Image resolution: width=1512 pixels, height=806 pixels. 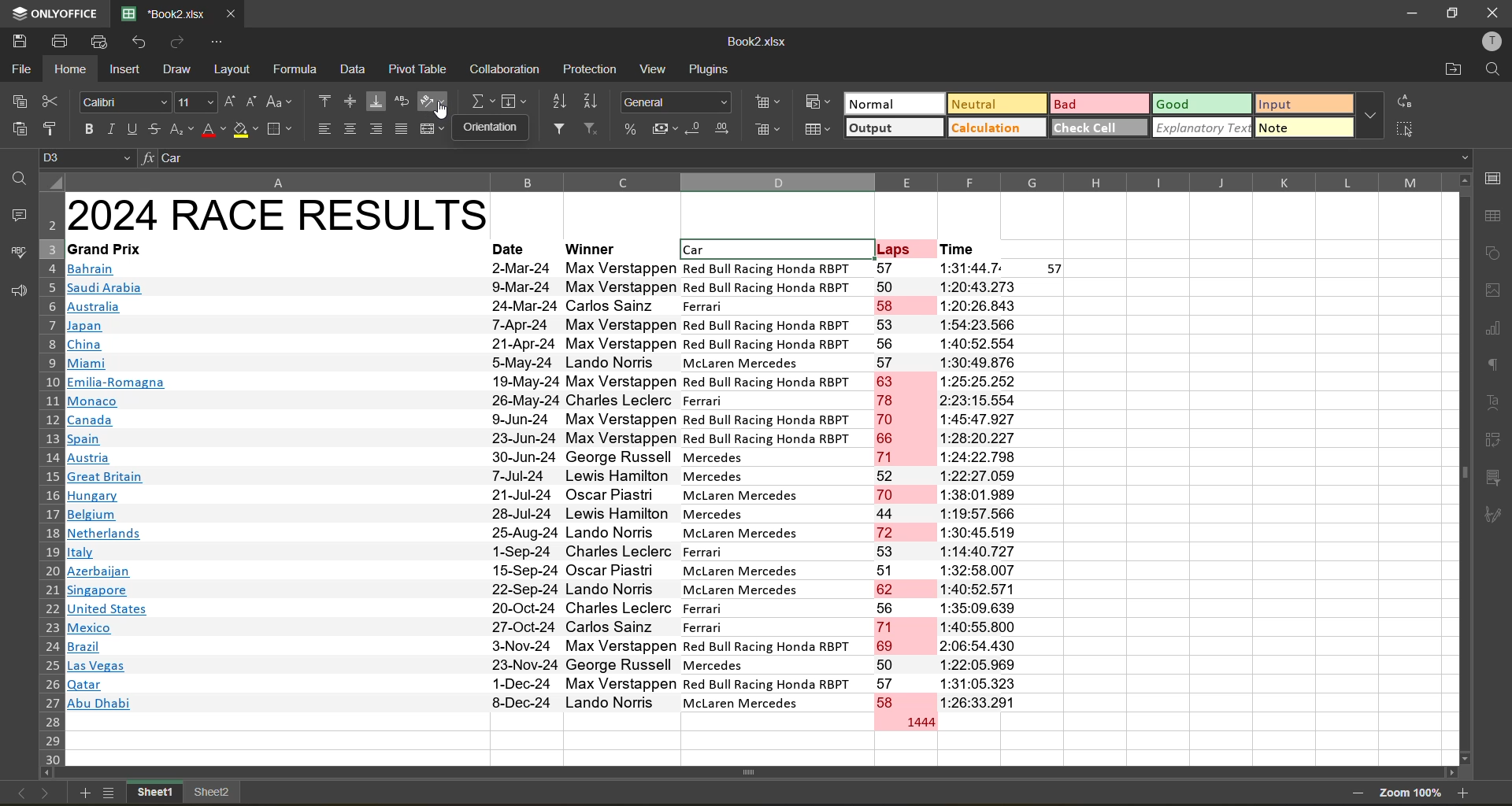 What do you see at coordinates (591, 99) in the screenshot?
I see `sort descending` at bounding box center [591, 99].